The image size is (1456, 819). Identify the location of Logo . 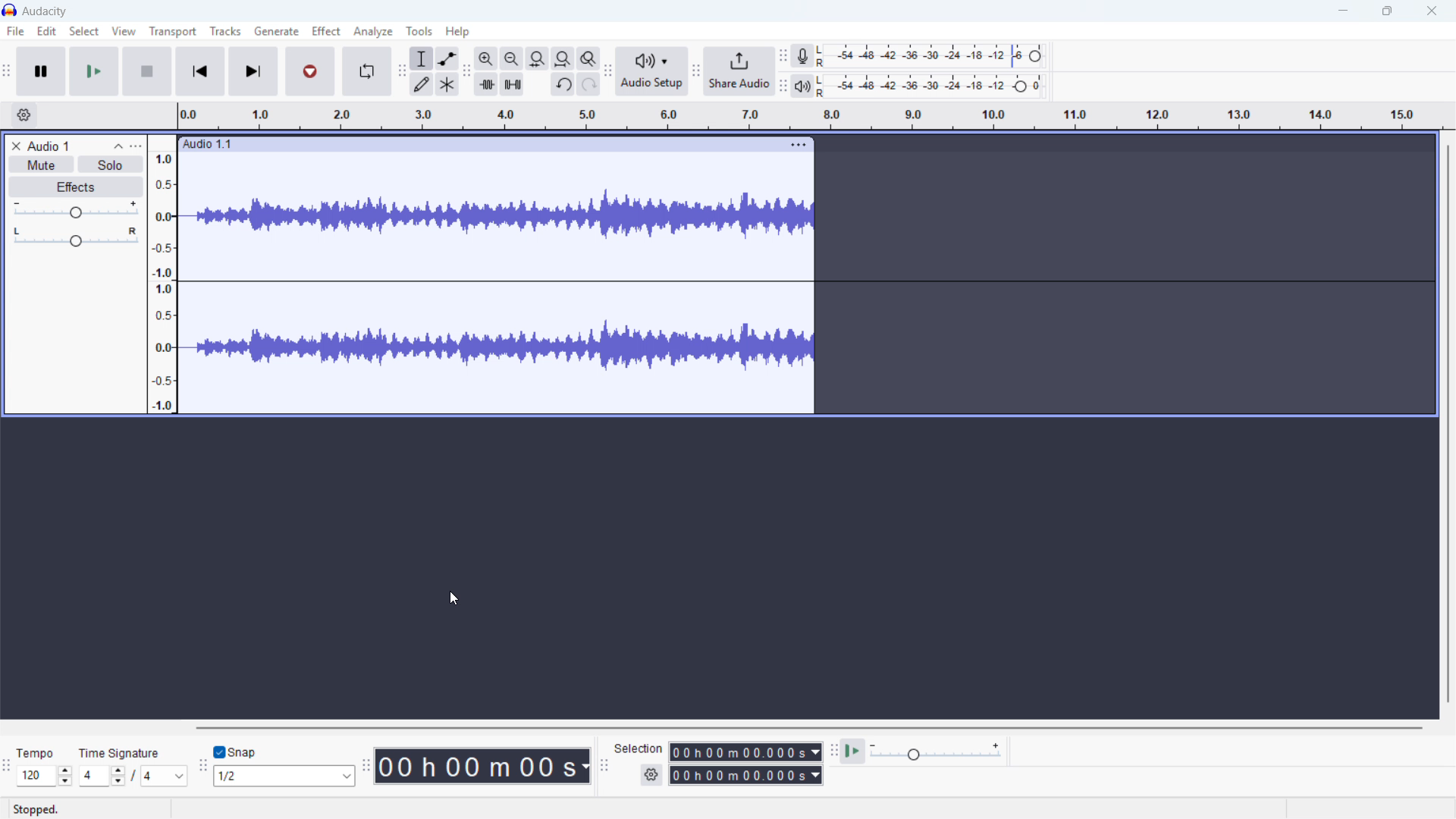
(10, 10).